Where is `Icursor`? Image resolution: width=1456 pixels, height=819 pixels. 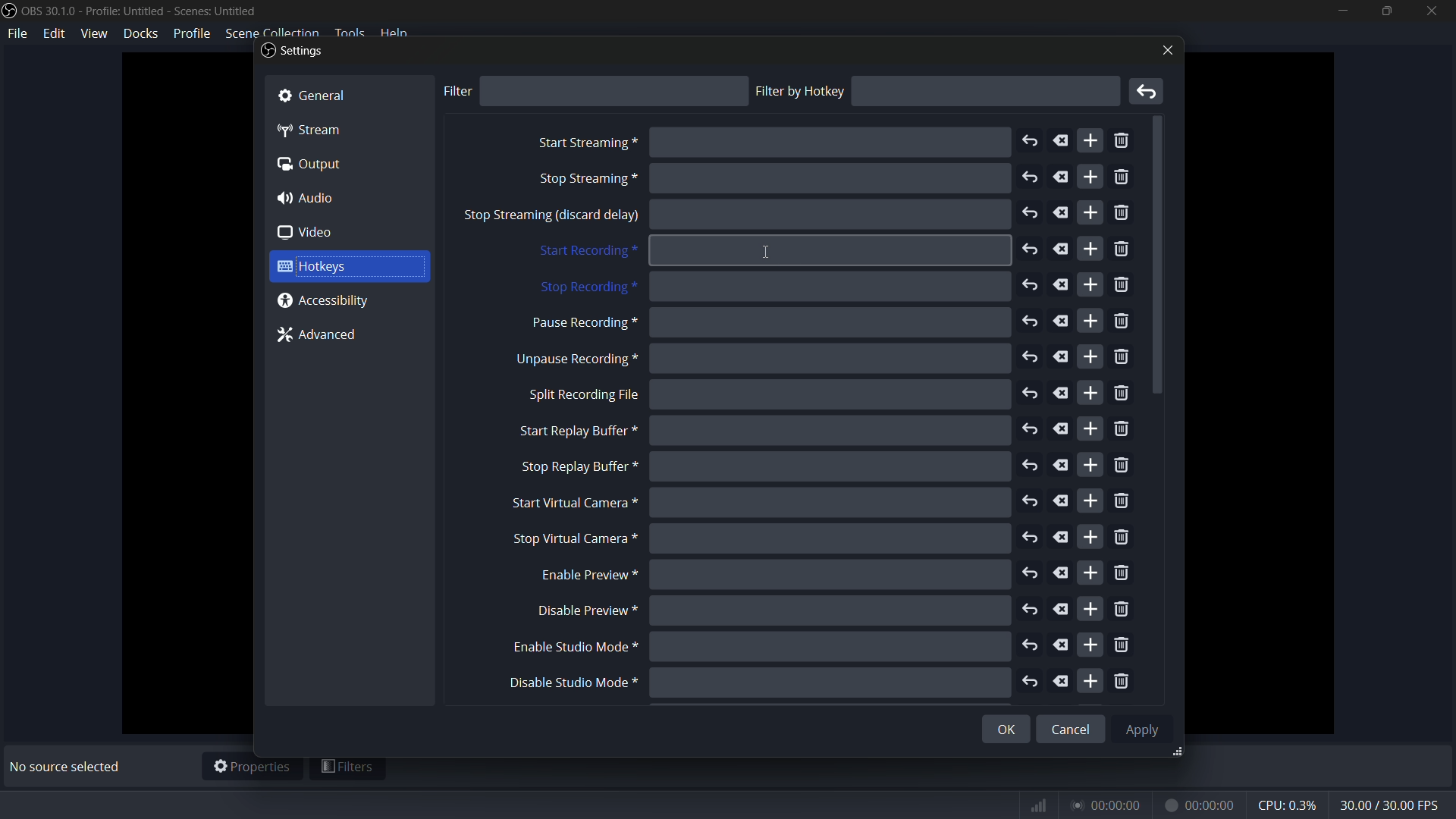
Icursor is located at coordinates (764, 249).